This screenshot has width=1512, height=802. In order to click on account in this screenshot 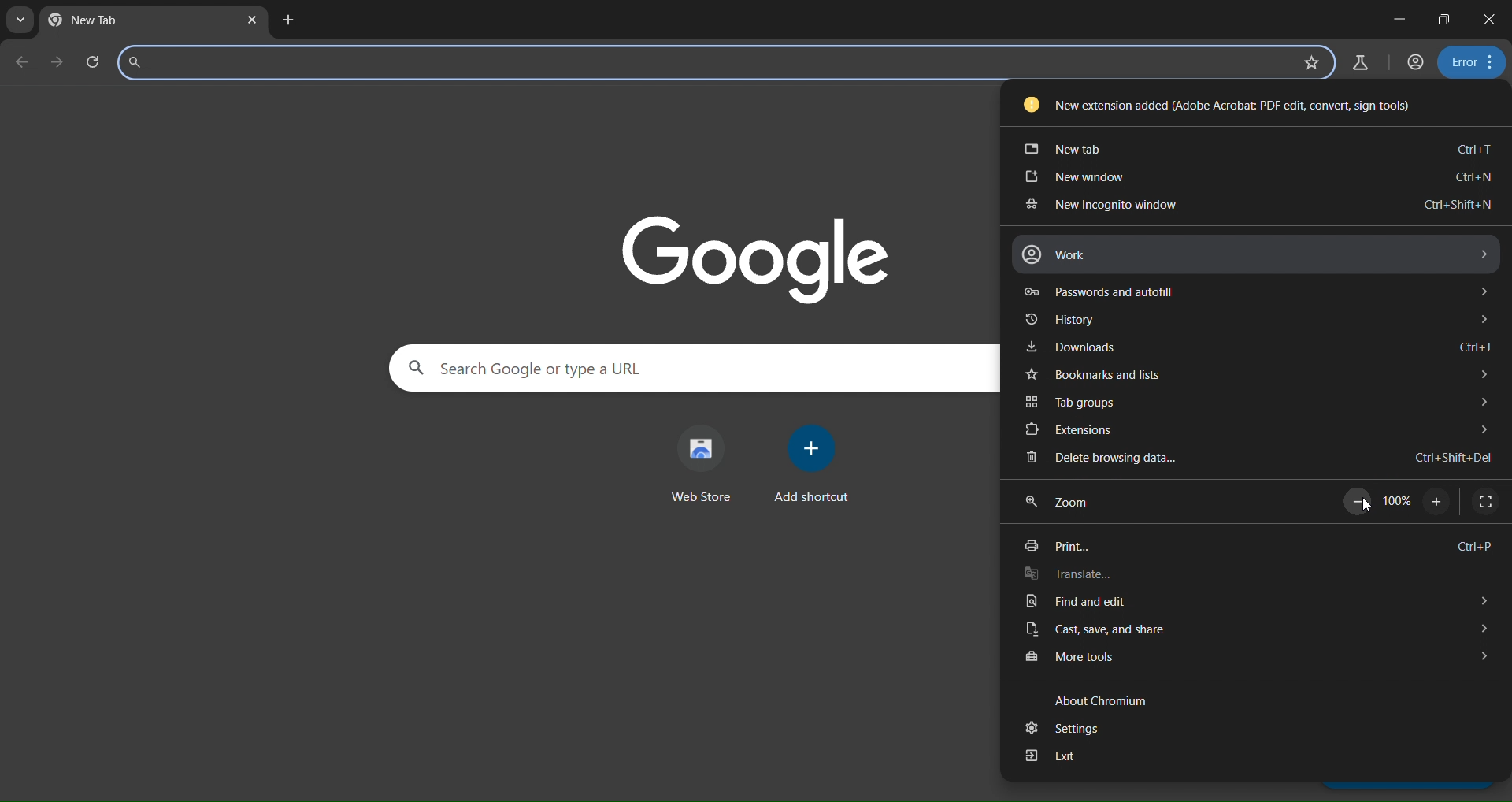, I will do `click(1417, 62)`.